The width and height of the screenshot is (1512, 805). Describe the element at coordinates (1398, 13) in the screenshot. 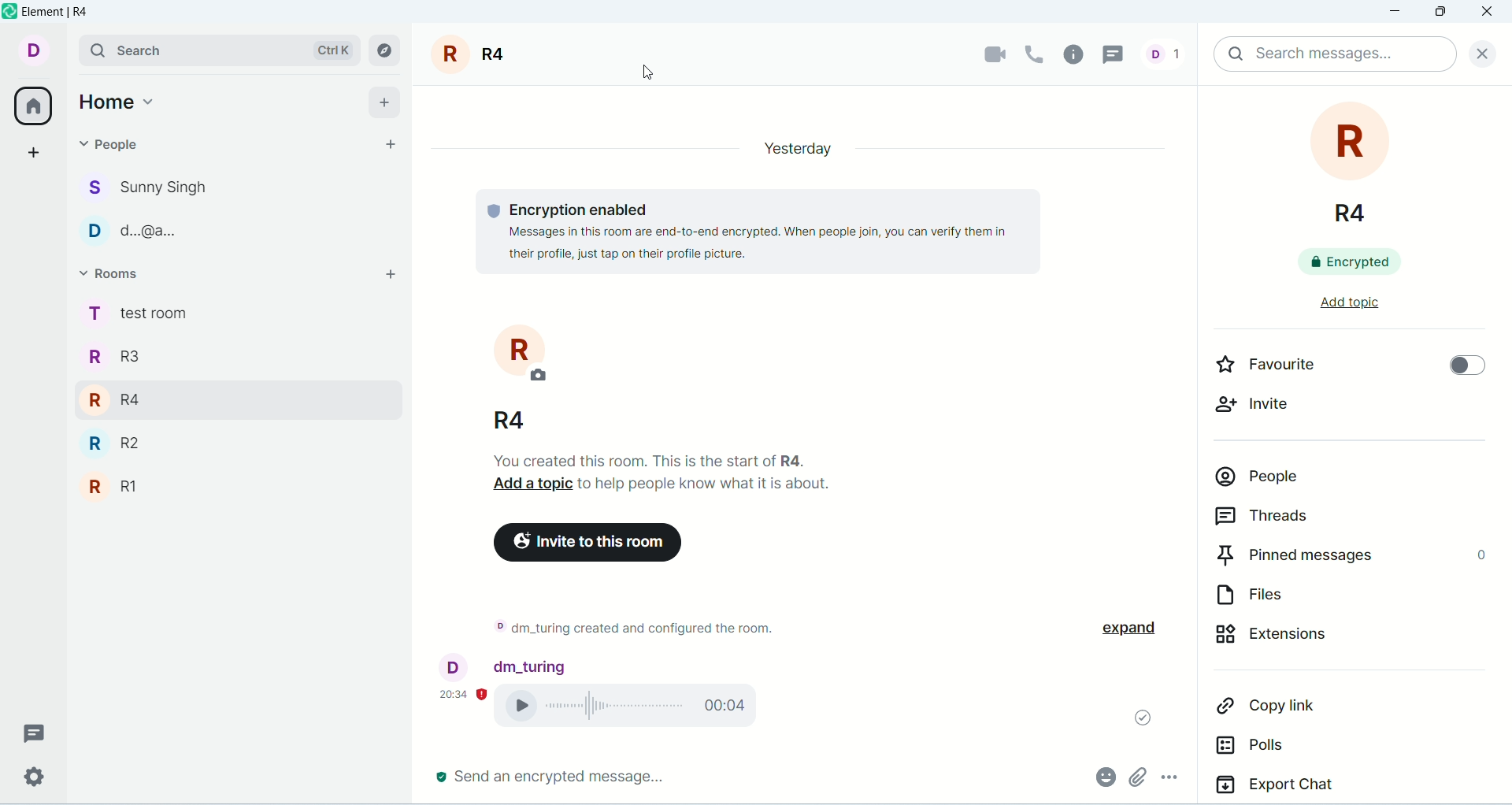

I see `minimize` at that location.